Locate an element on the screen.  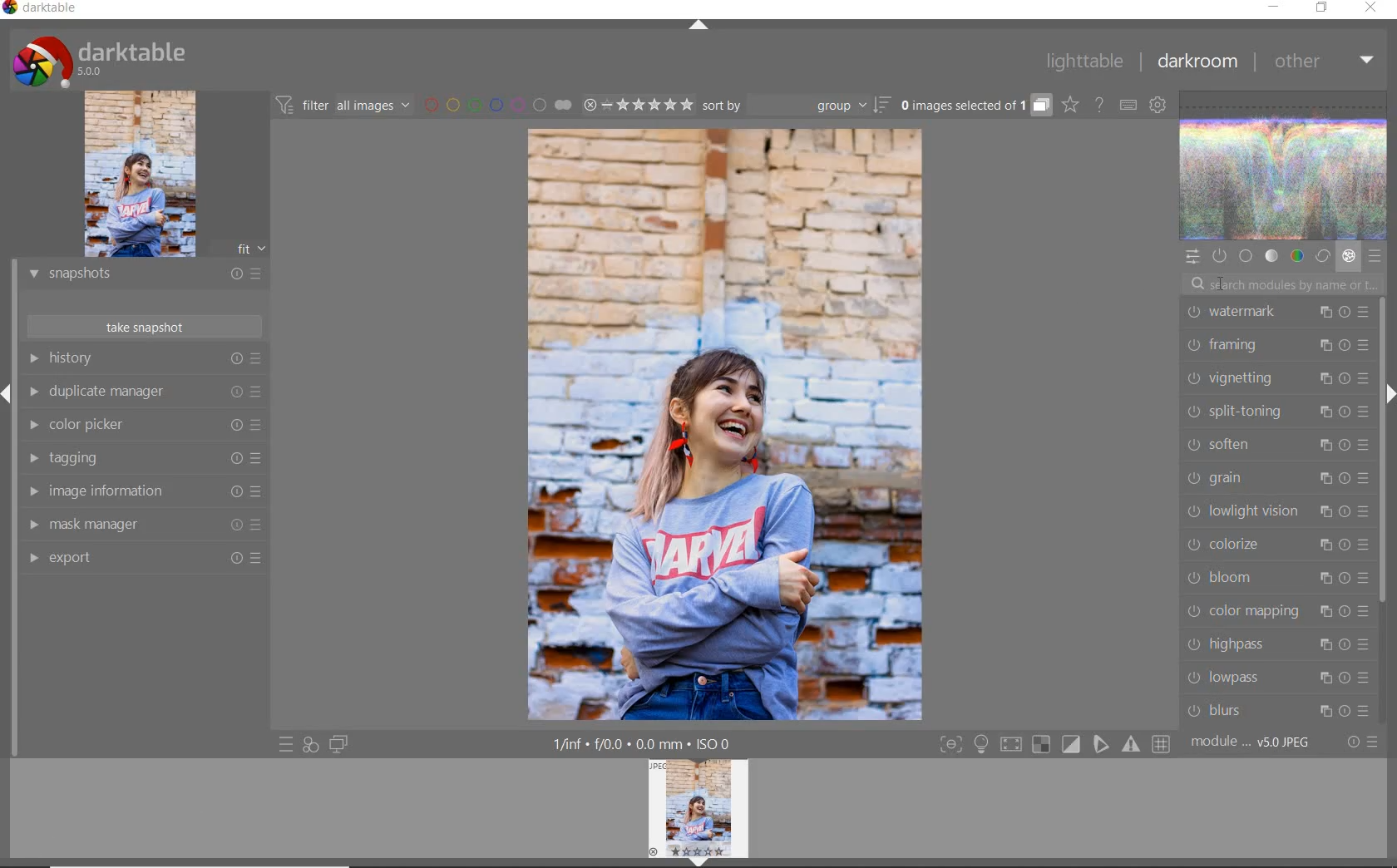
tone is located at coordinates (1272, 257).